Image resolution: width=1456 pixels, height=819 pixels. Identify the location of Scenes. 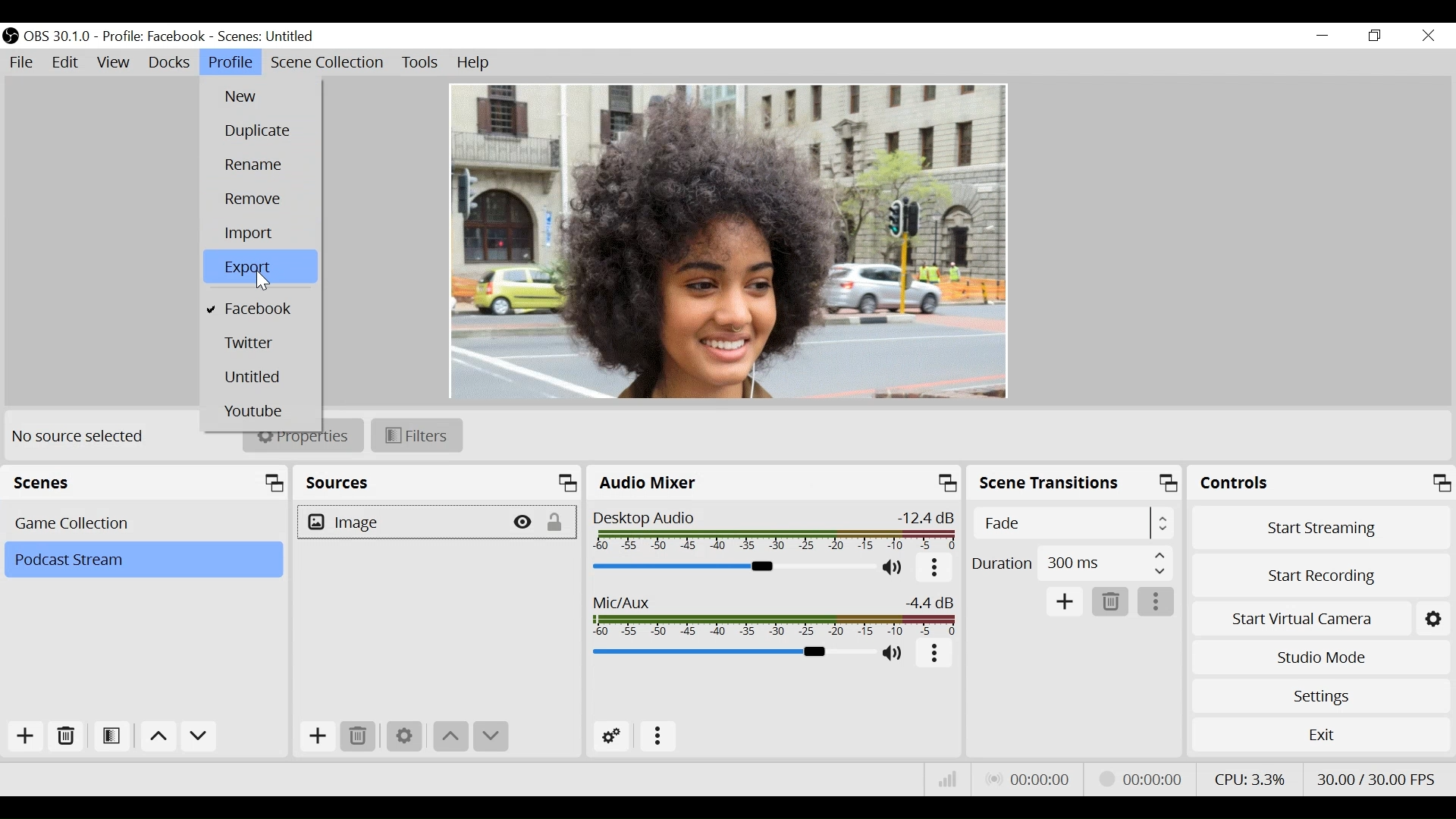
(145, 482).